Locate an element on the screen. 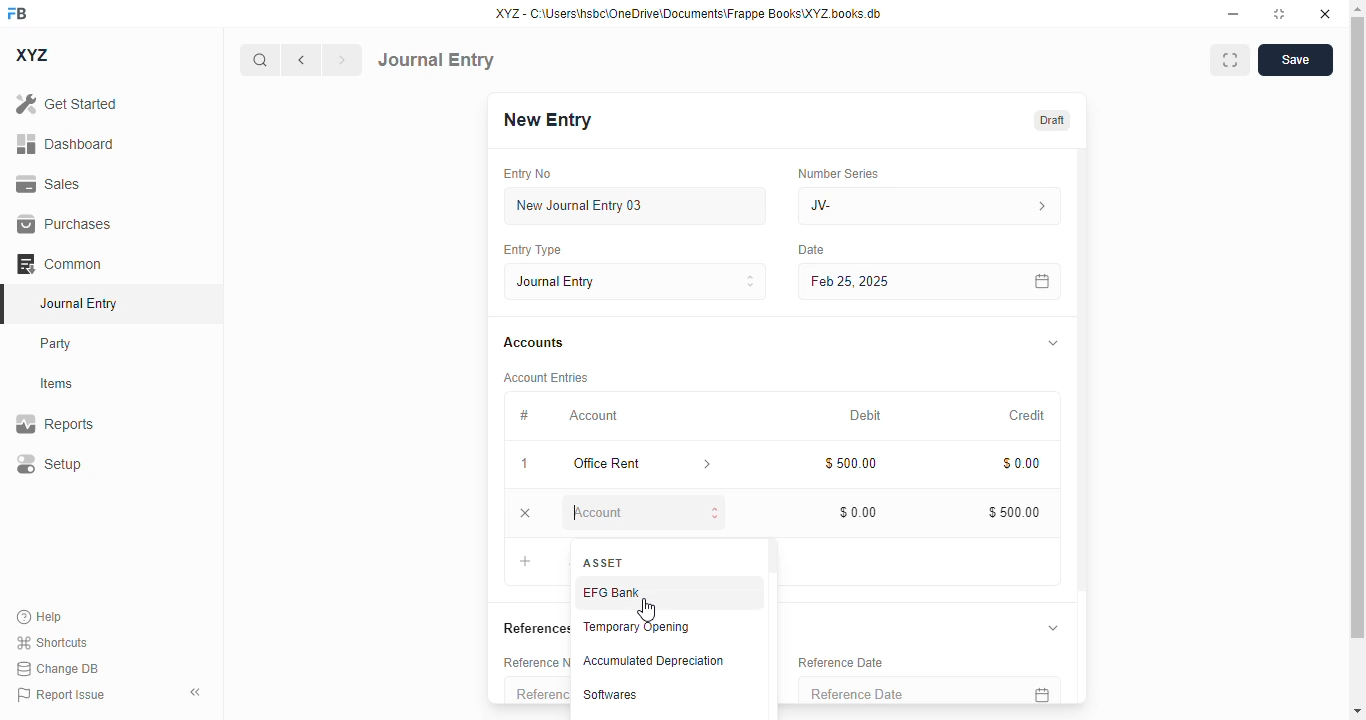  add is located at coordinates (527, 560).